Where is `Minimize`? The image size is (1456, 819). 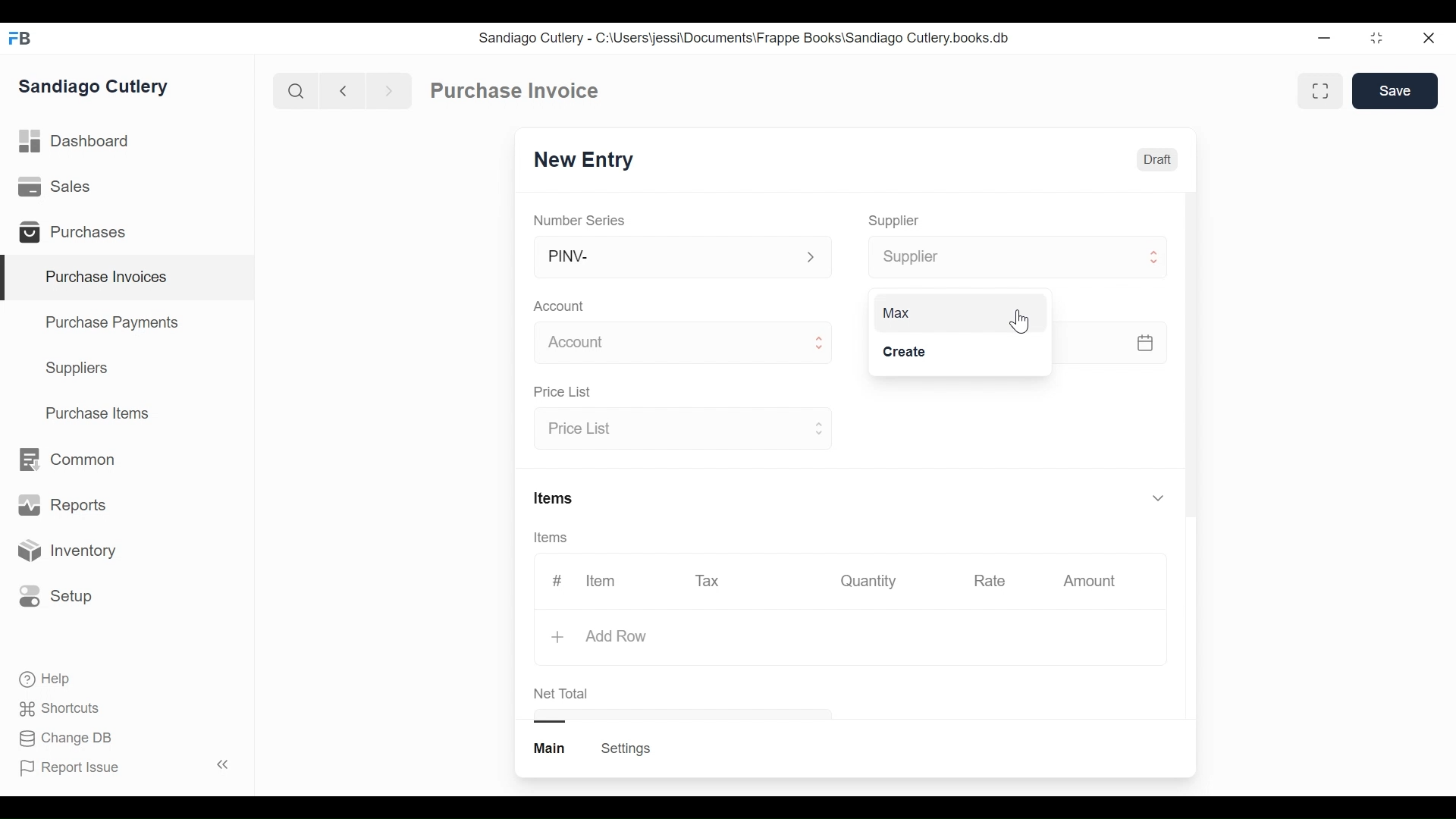
Minimize is located at coordinates (1321, 39).